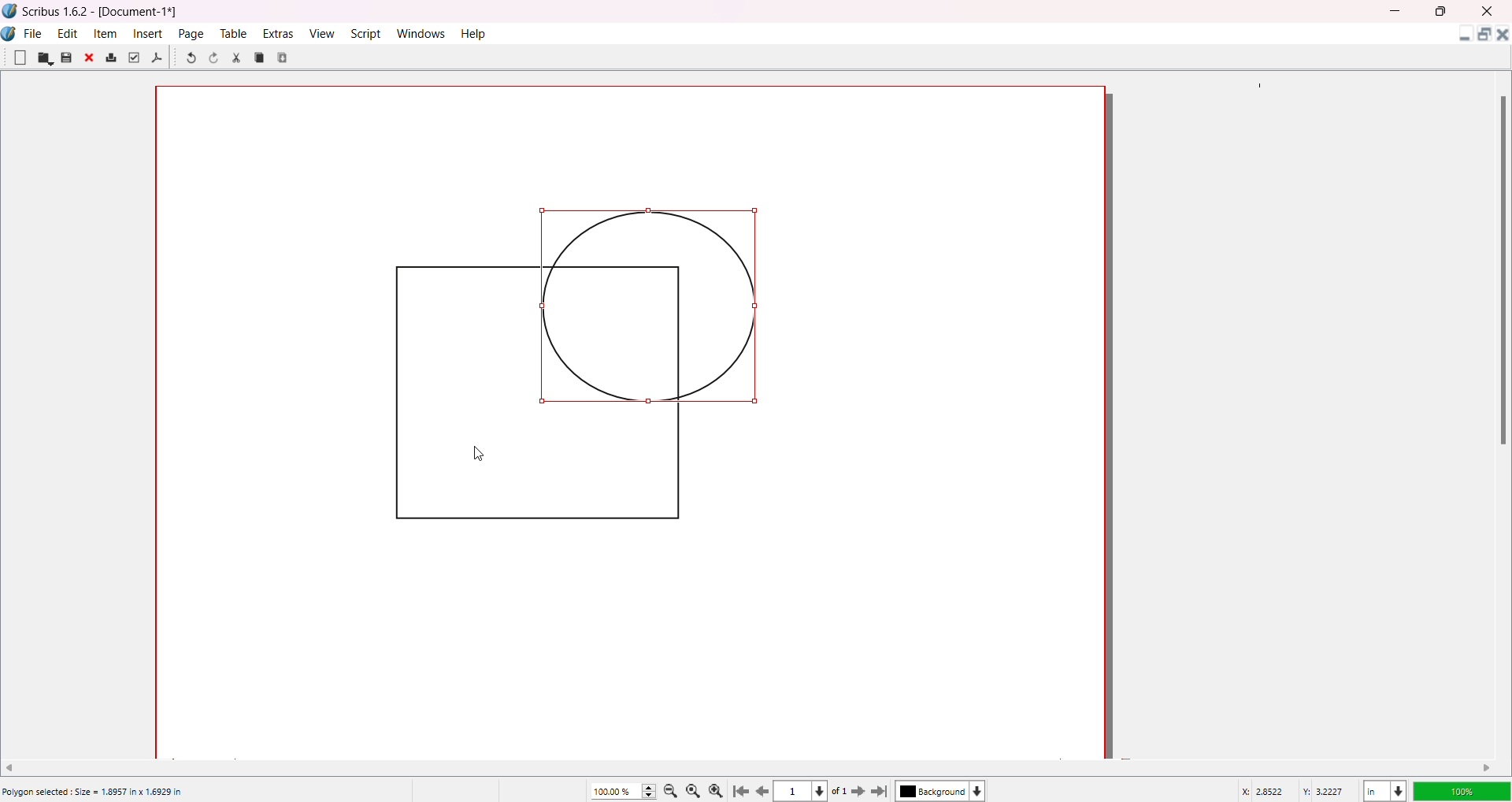  What do you see at coordinates (192, 33) in the screenshot?
I see `Page` at bounding box center [192, 33].